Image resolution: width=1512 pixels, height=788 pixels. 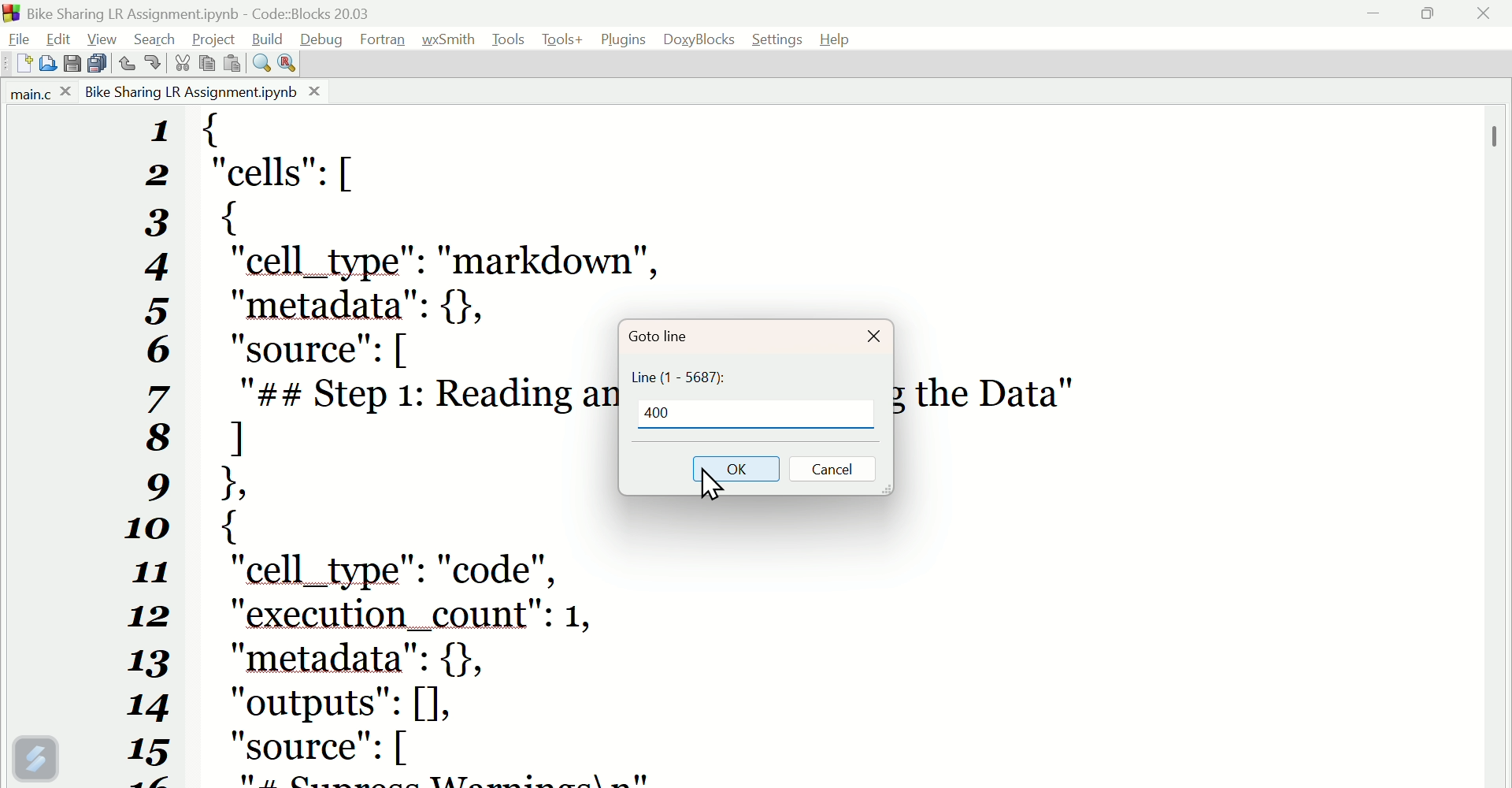 What do you see at coordinates (386, 40) in the screenshot?
I see `Fortran` at bounding box center [386, 40].